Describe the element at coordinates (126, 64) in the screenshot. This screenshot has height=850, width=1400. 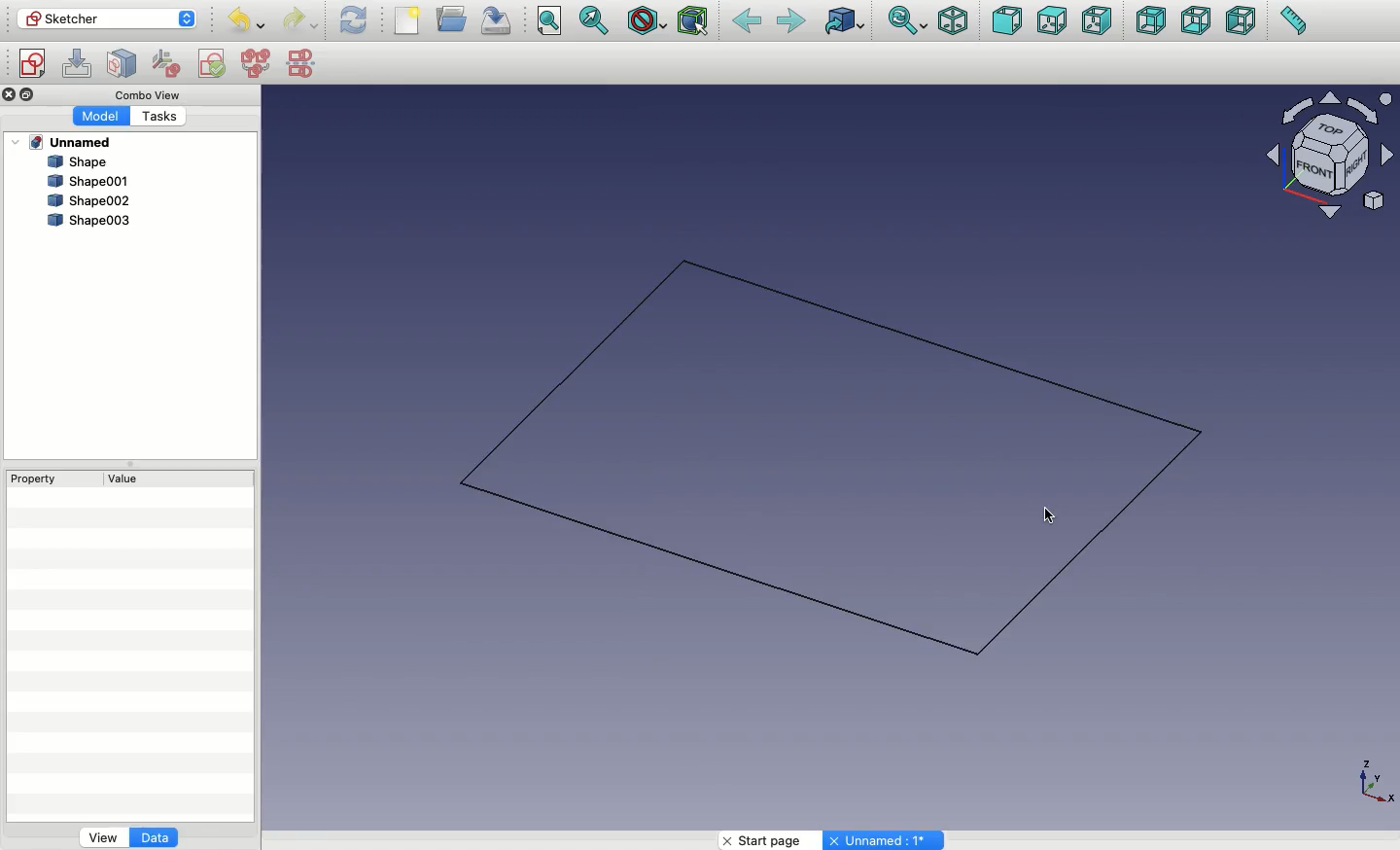
I see `Map sketch to face` at that location.